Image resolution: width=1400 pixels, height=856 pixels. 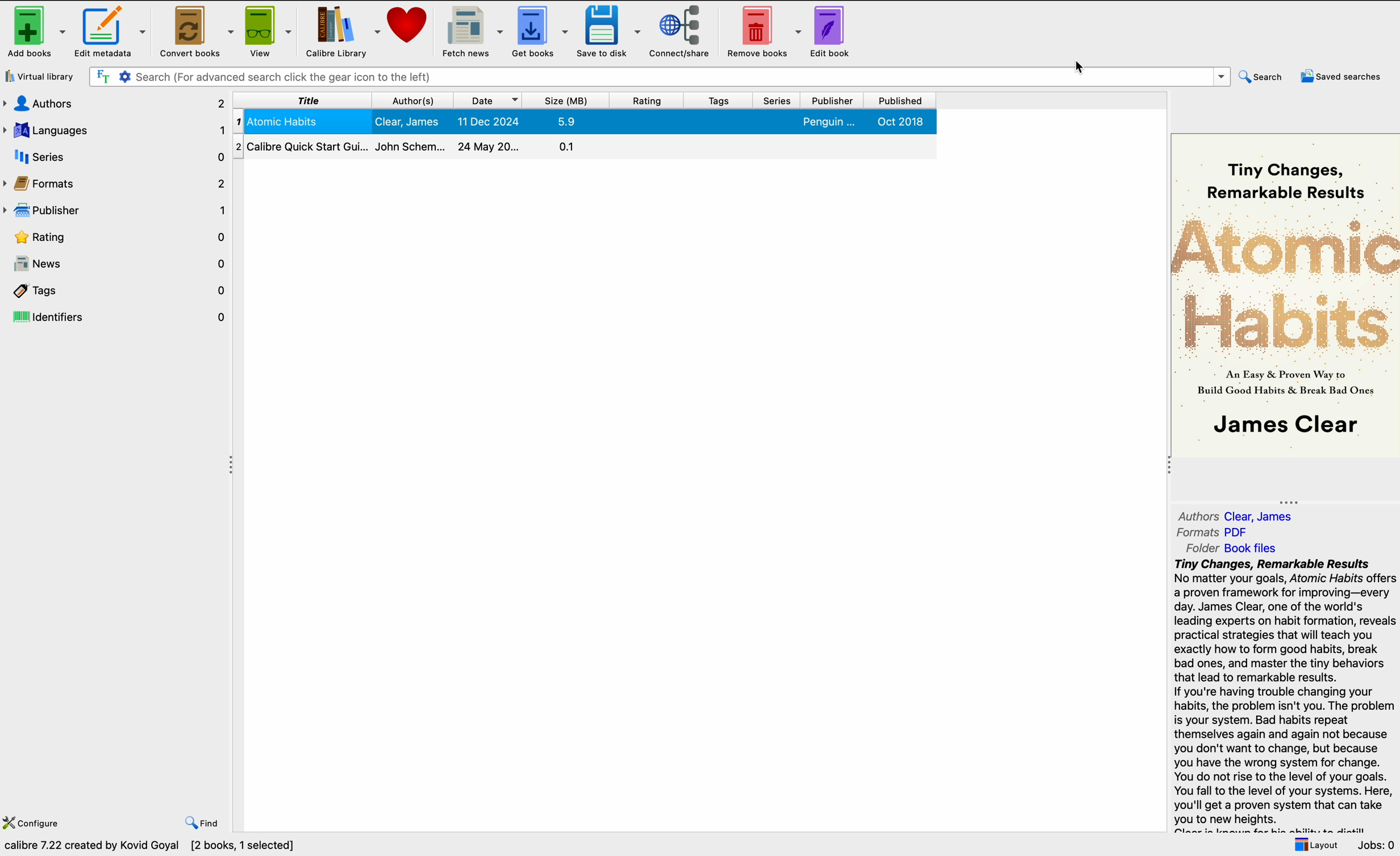 I want to click on search, so click(x=1265, y=76).